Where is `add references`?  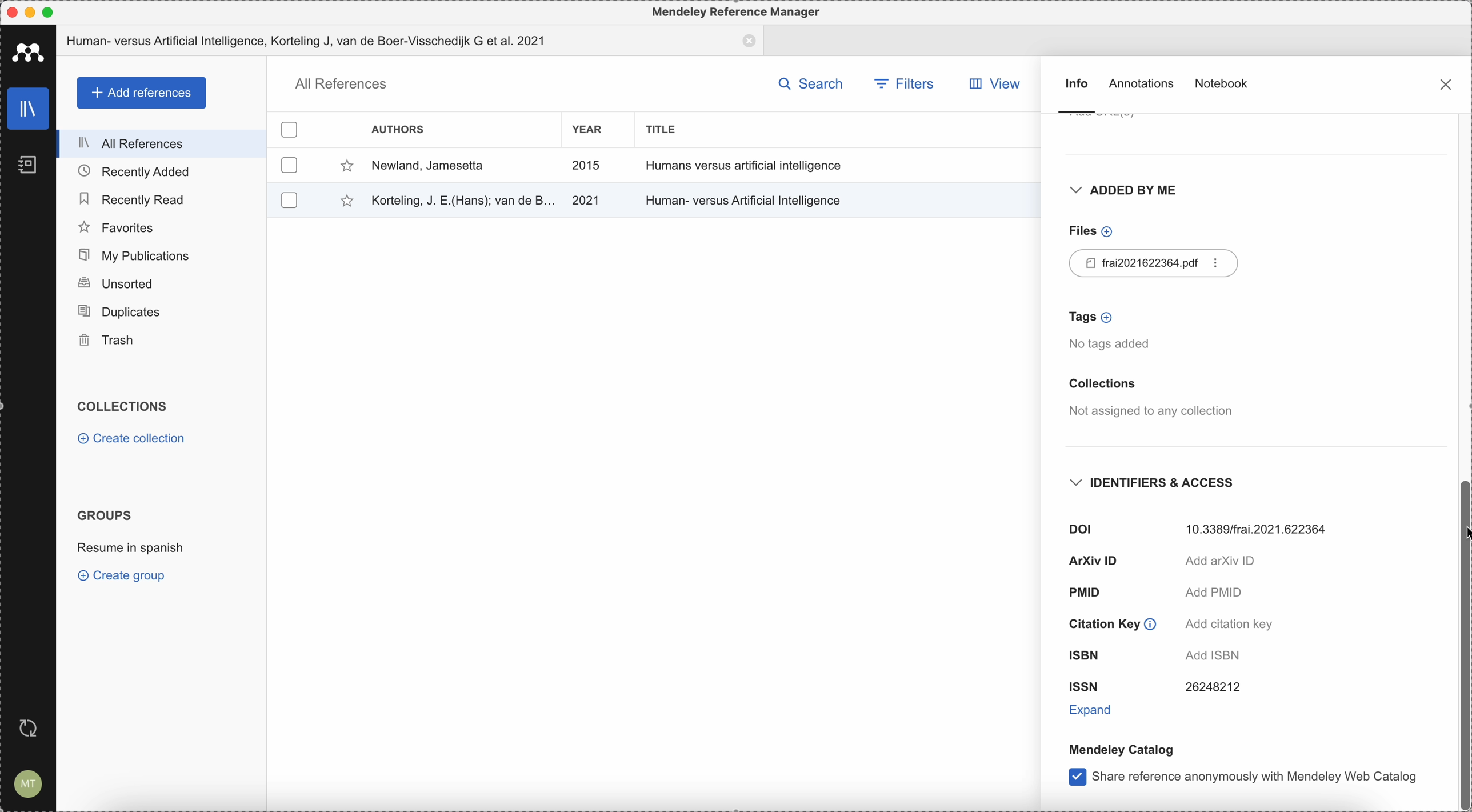 add references is located at coordinates (140, 93).